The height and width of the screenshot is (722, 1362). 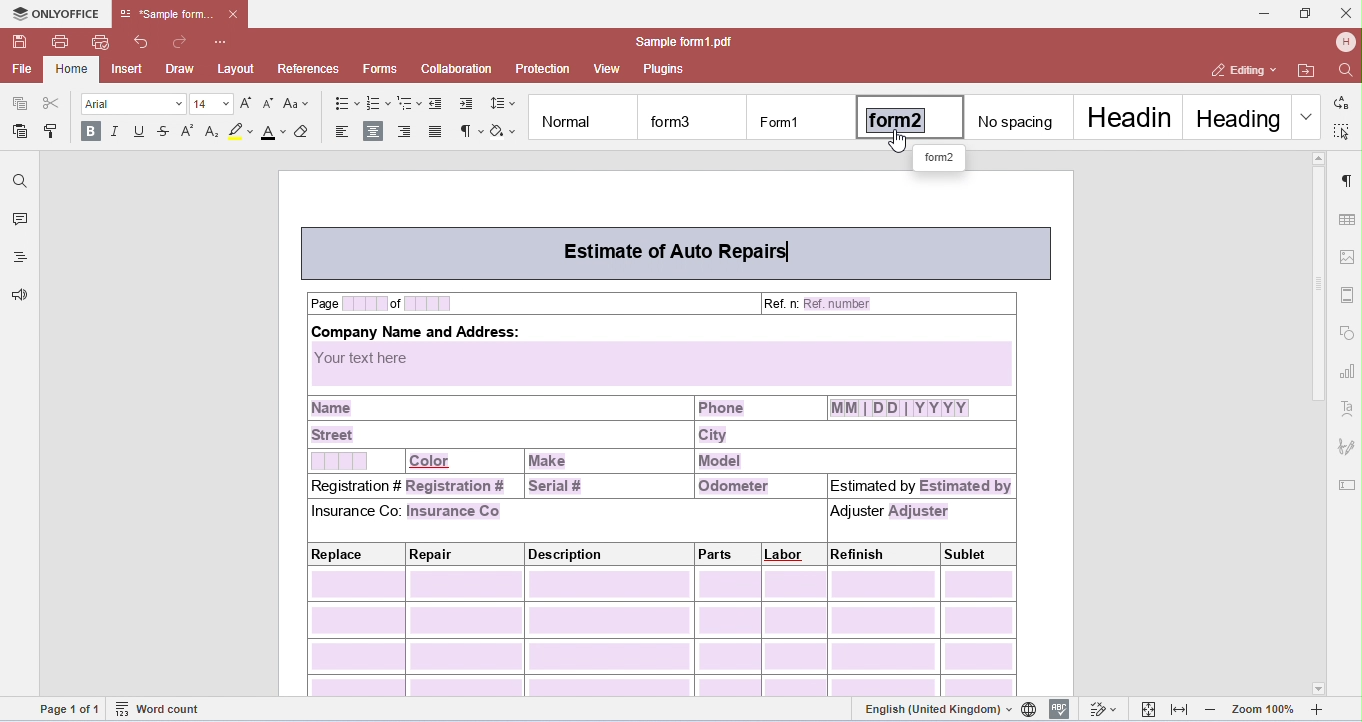 I want to click on font size, so click(x=214, y=103).